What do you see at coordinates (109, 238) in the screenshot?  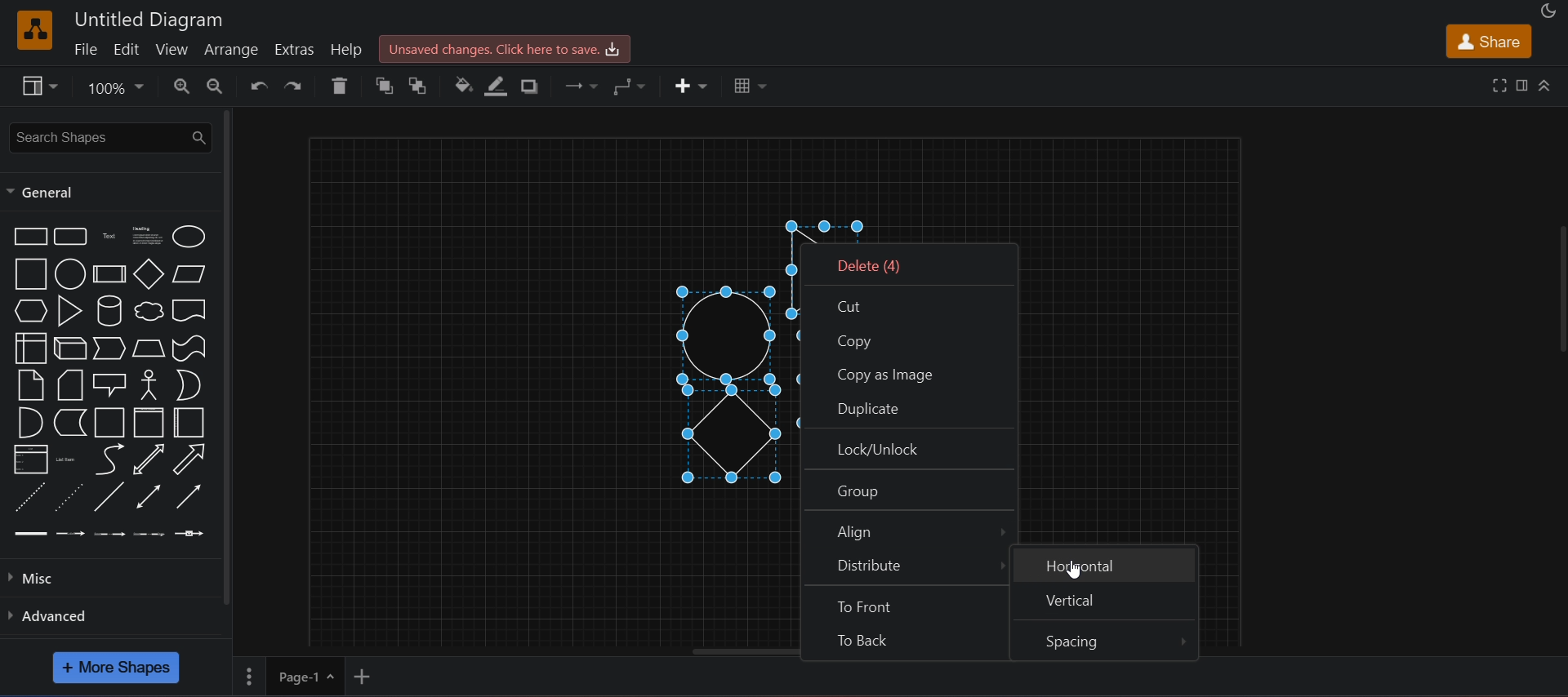 I see `text` at bounding box center [109, 238].